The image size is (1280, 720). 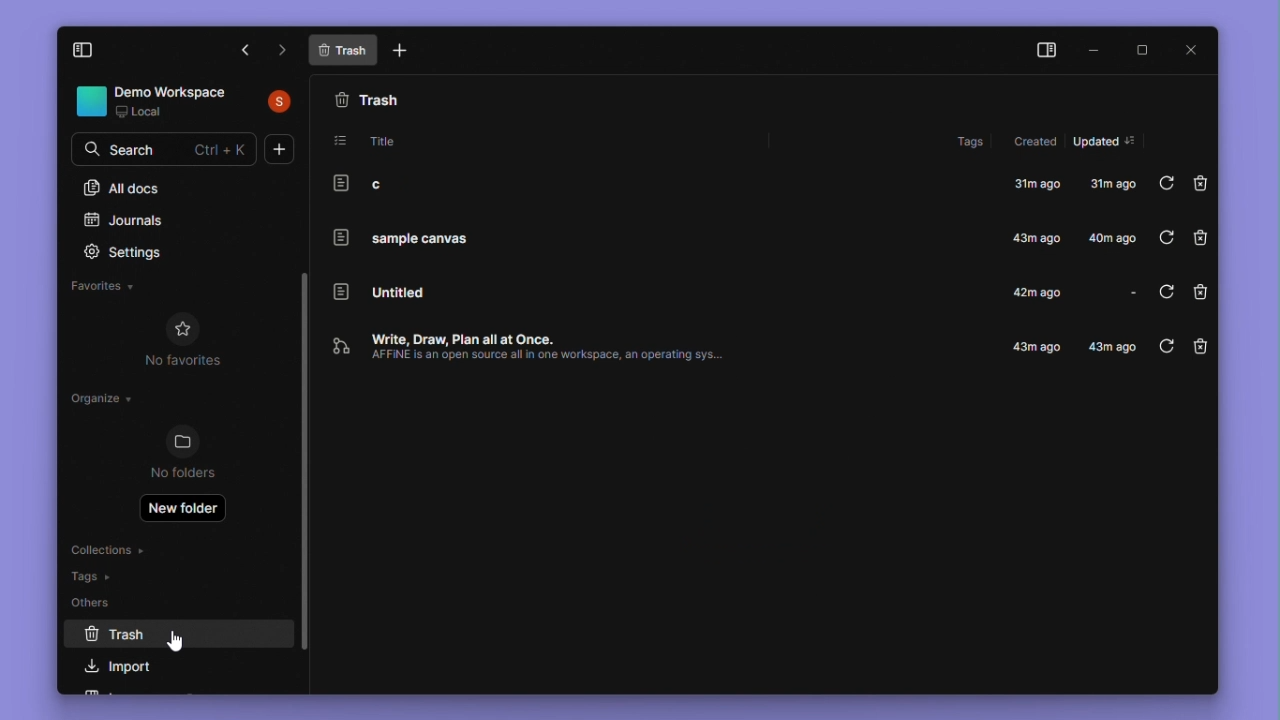 I want to click on trash, so click(x=172, y=637).